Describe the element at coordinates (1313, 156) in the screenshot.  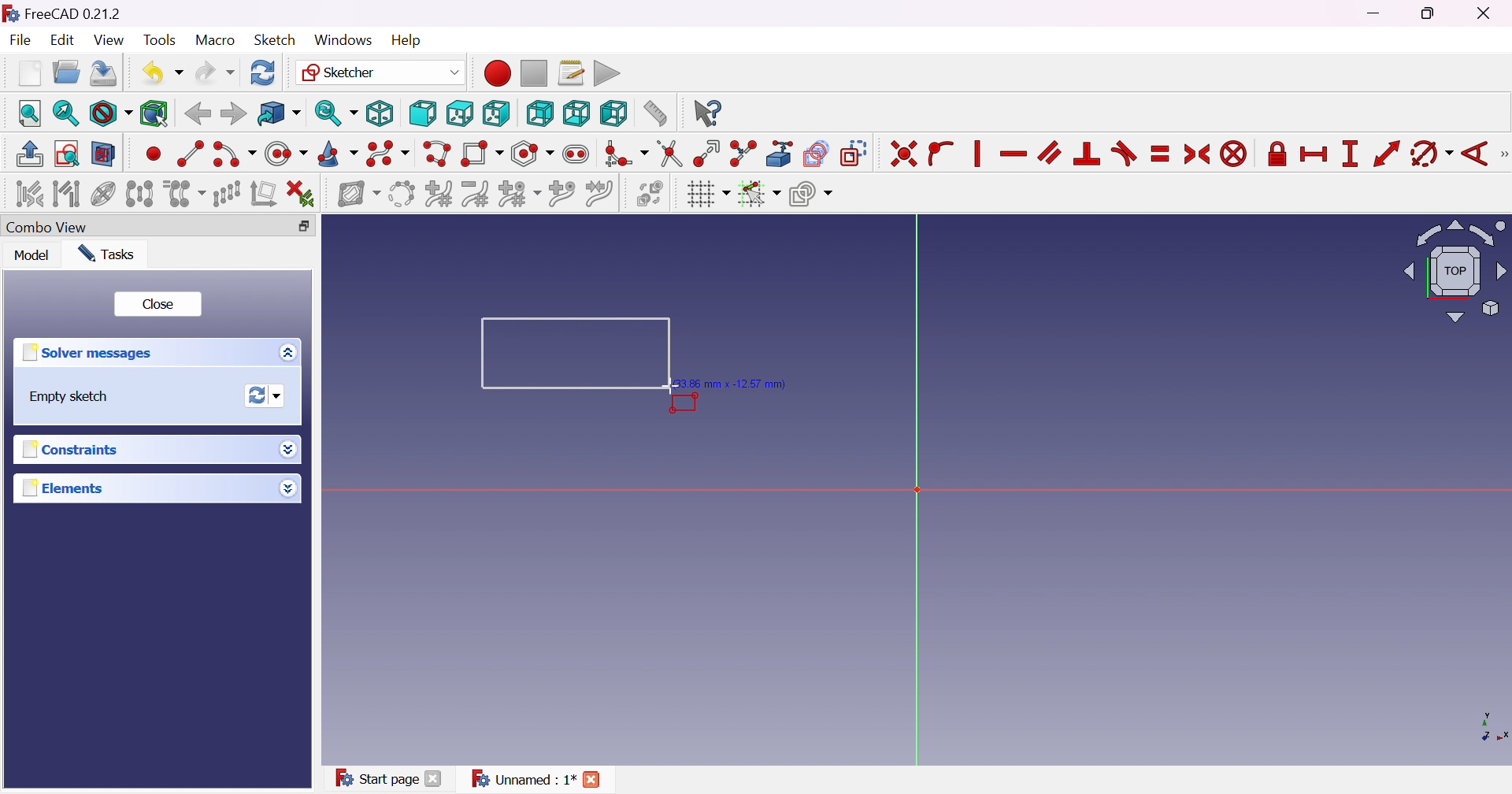
I see `Constrain horizontal distance` at that location.